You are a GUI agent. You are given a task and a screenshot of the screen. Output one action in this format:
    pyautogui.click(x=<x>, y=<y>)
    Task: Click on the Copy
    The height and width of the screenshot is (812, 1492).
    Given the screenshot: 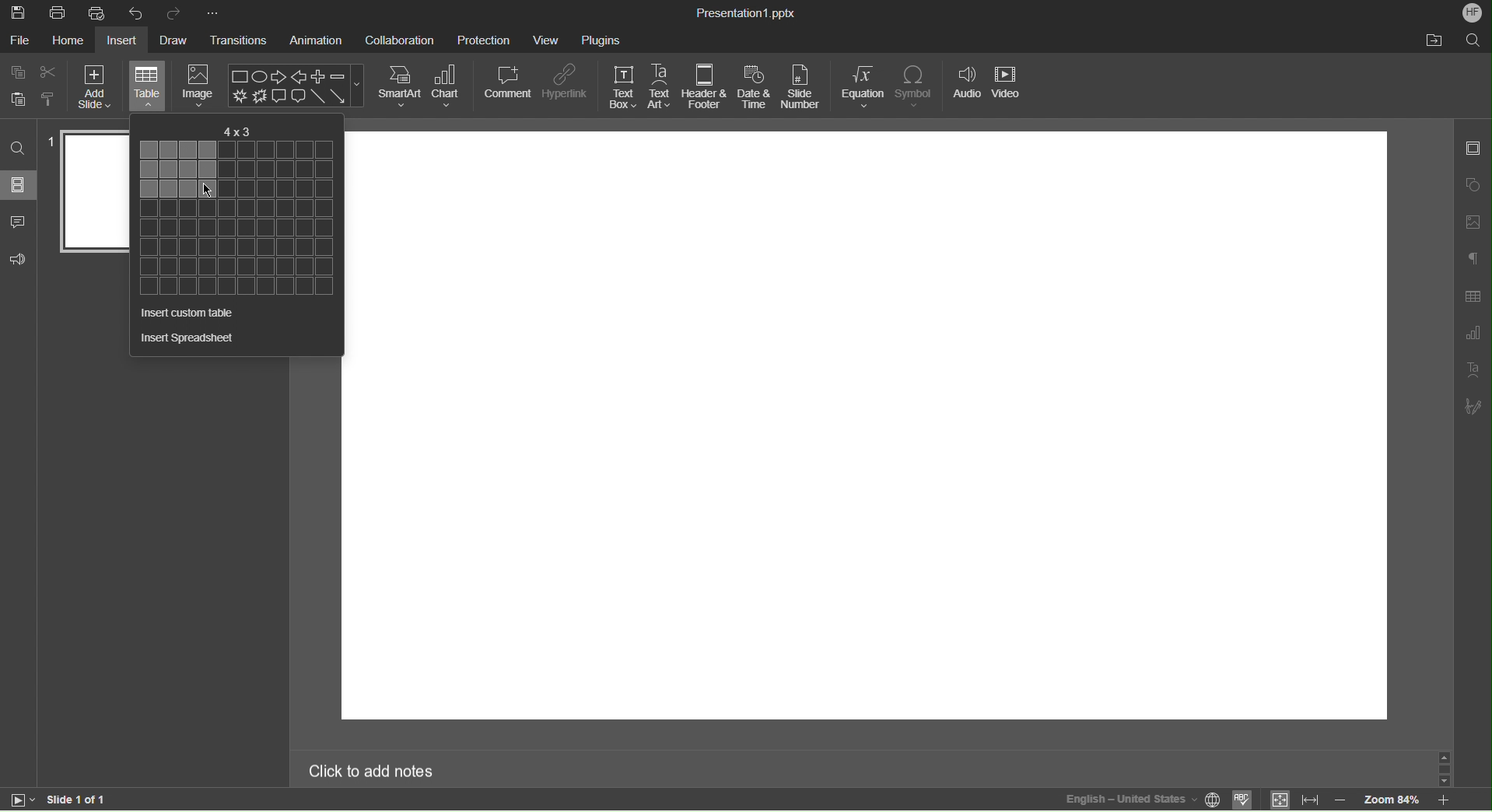 What is the action you would take?
    pyautogui.click(x=19, y=72)
    